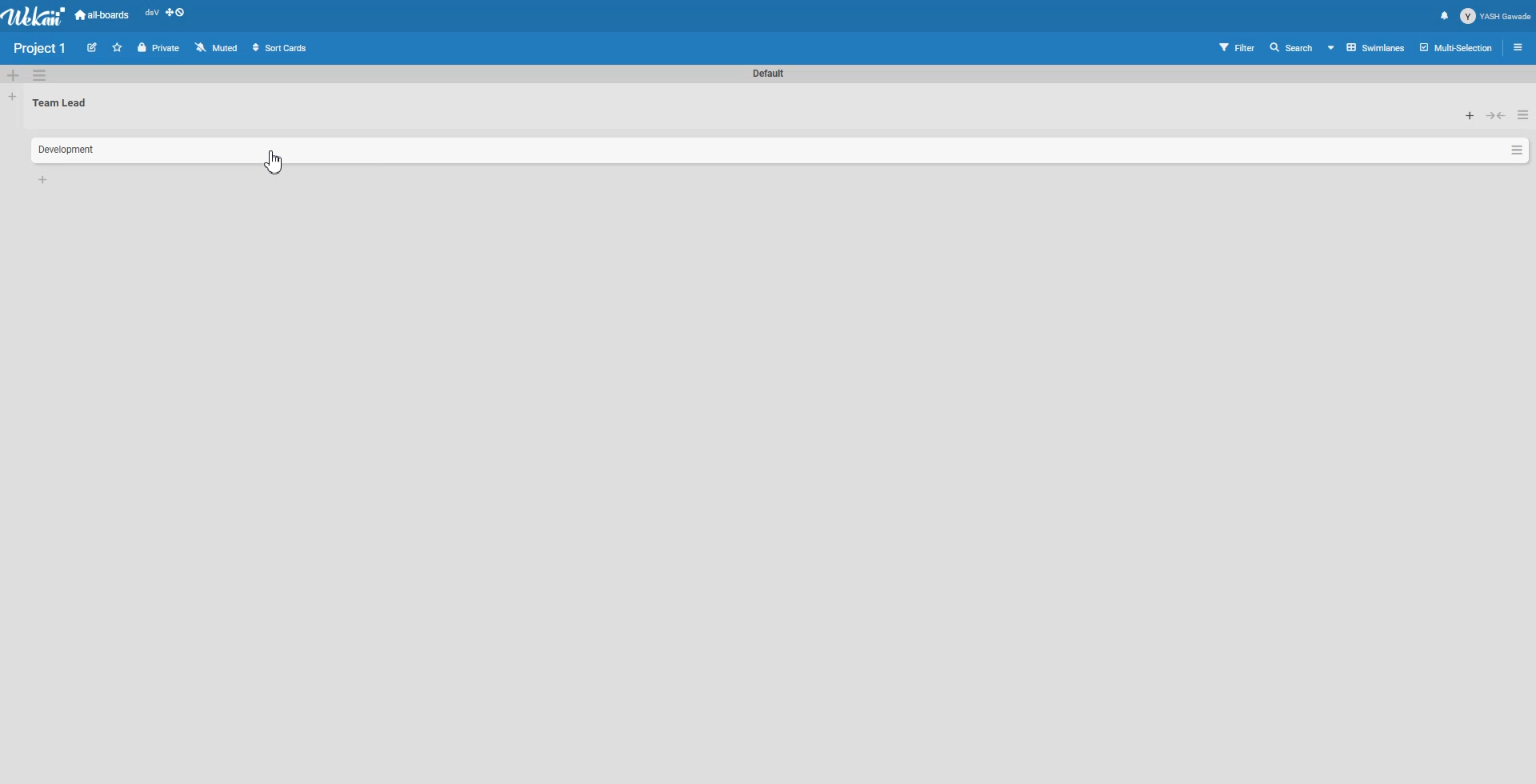 The width and height of the screenshot is (1536, 784). What do you see at coordinates (1444, 15) in the screenshot?
I see `Notification` at bounding box center [1444, 15].